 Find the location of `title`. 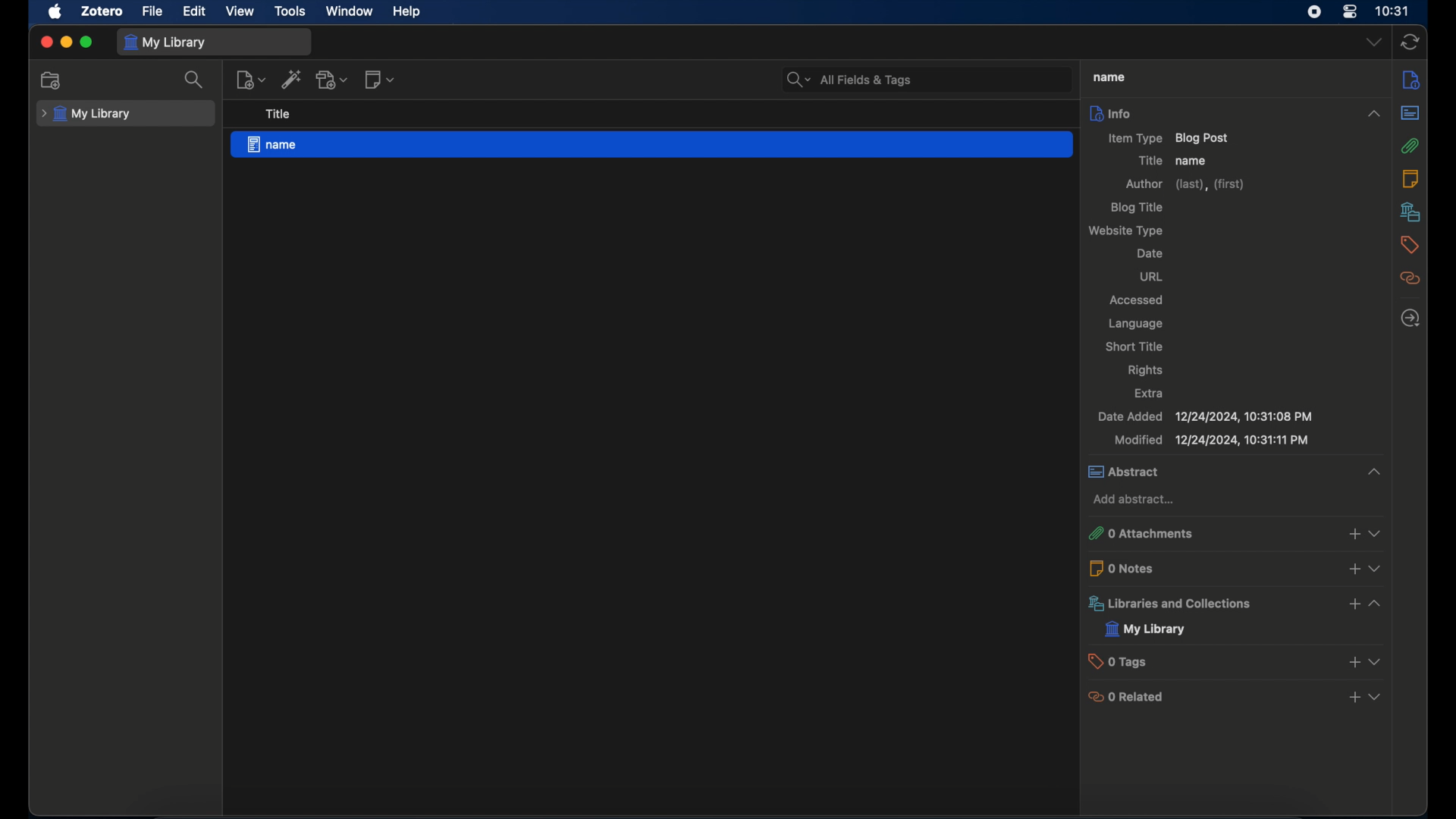

title is located at coordinates (278, 113).